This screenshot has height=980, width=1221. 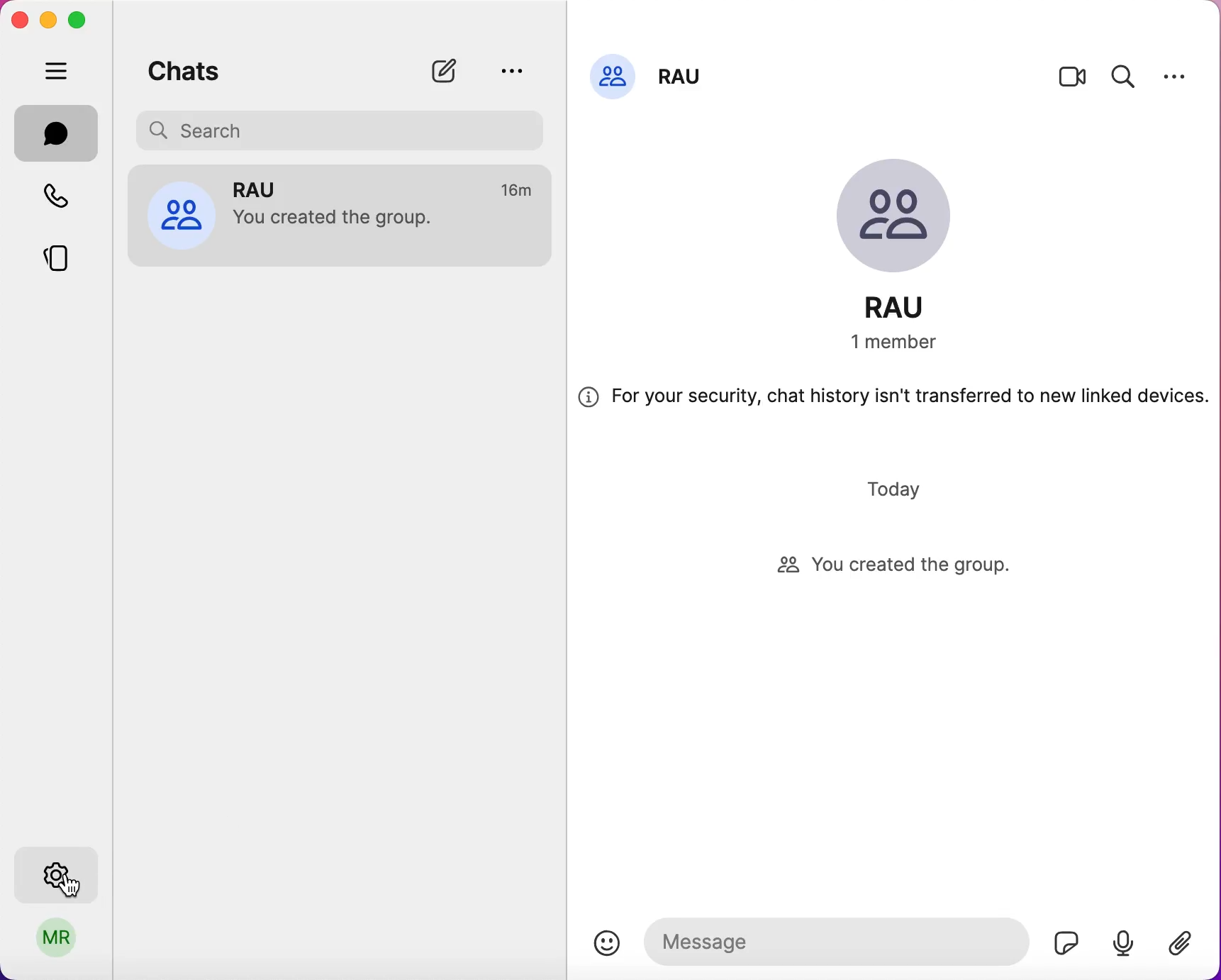 What do you see at coordinates (60, 72) in the screenshot?
I see `hide bar` at bounding box center [60, 72].